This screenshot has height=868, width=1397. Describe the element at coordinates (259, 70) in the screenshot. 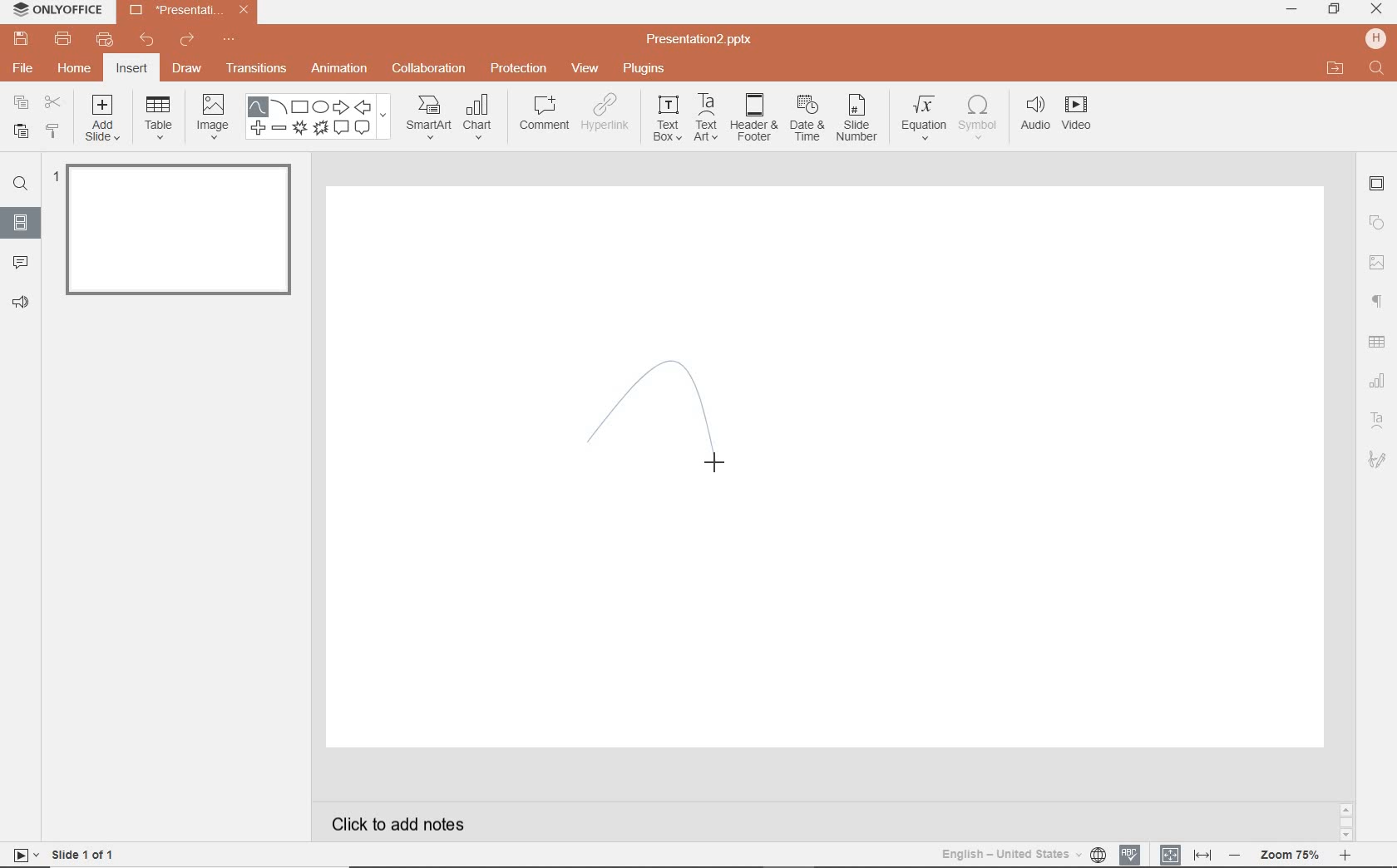

I see `TRANSITIONS` at that location.